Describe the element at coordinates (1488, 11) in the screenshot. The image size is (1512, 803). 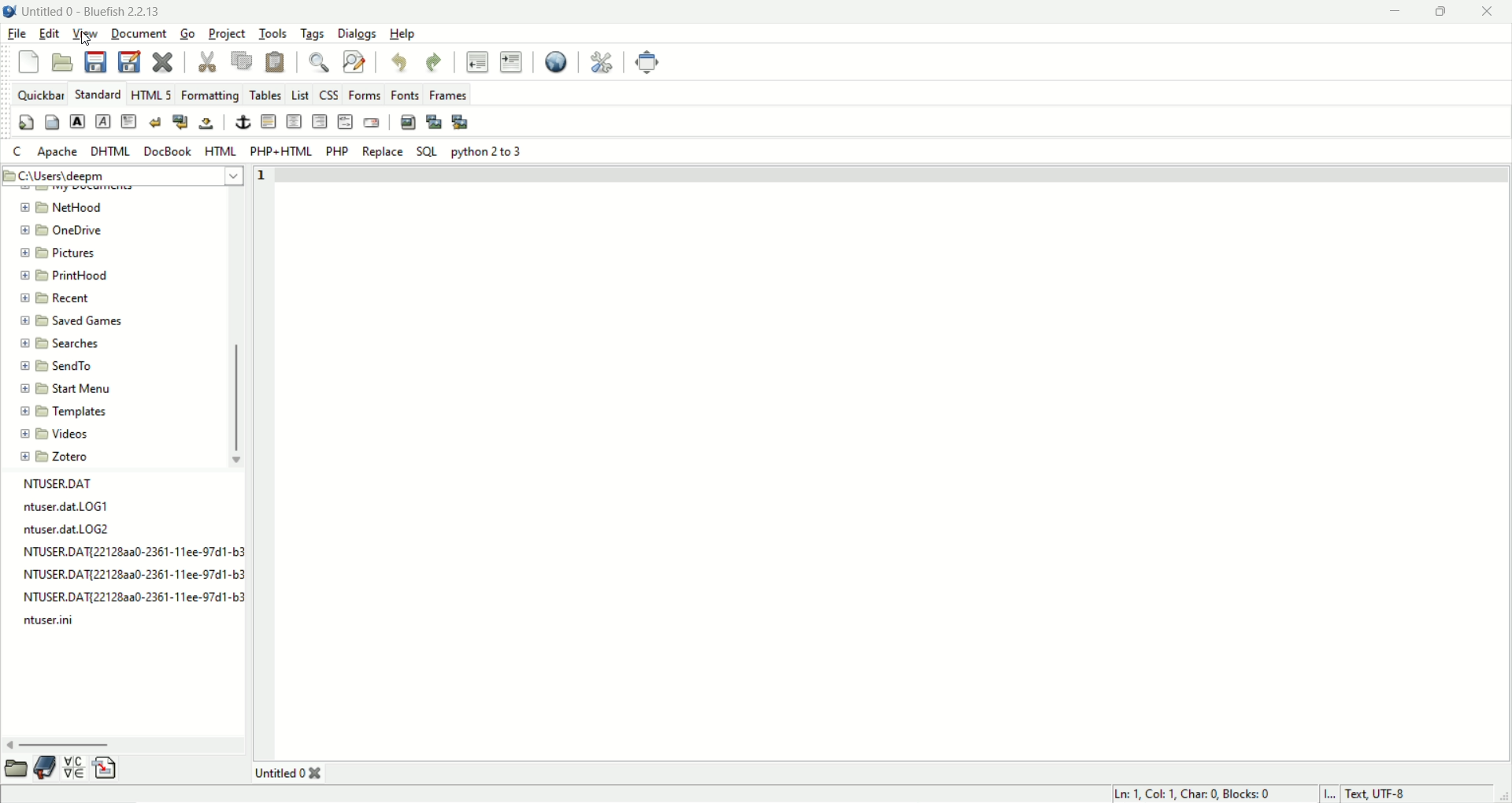
I see `close` at that location.